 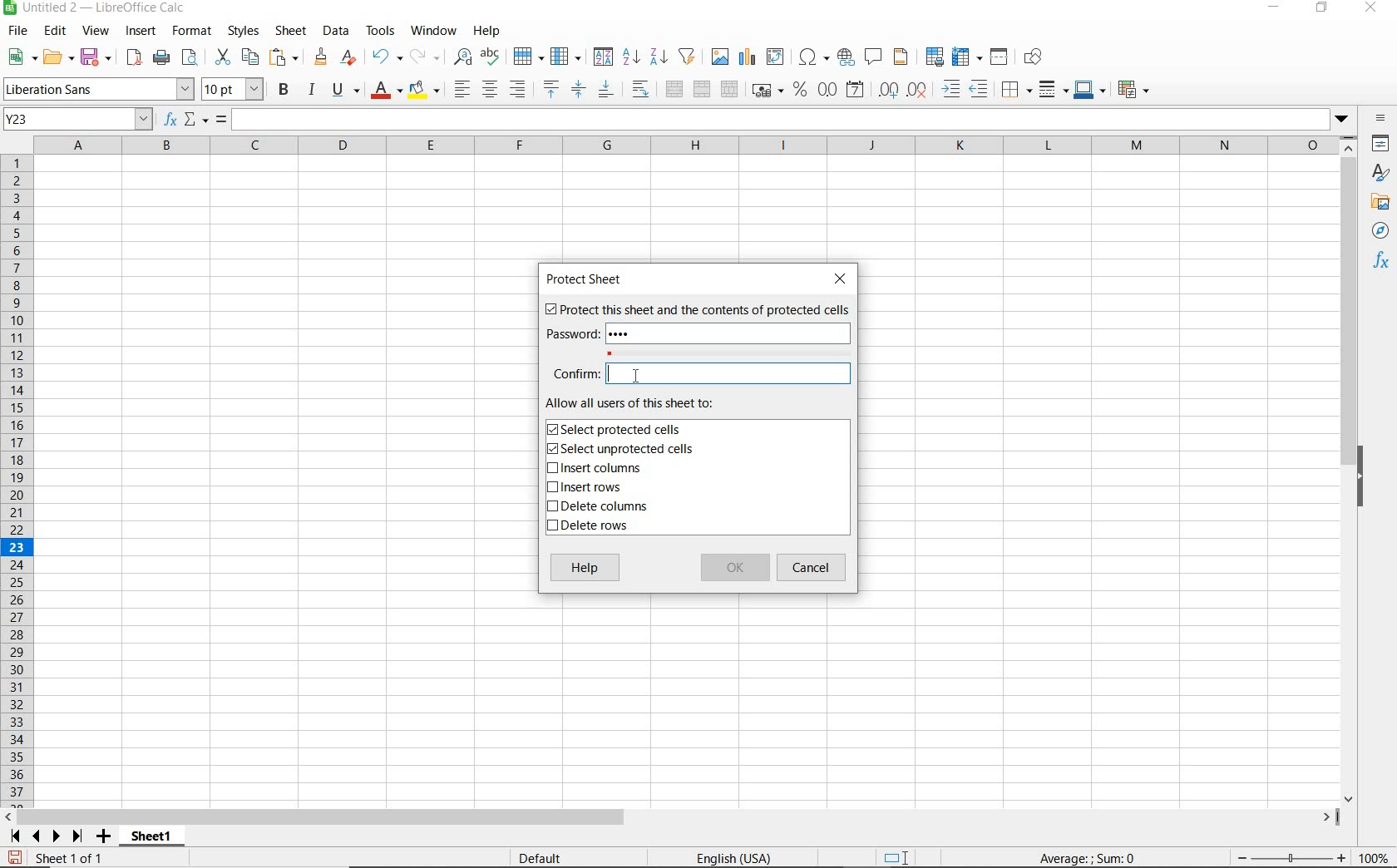 What do you see at coordinates (1380, 205) in the screenshot?
I see `GALLERY` at bounding box center [1380, 205].